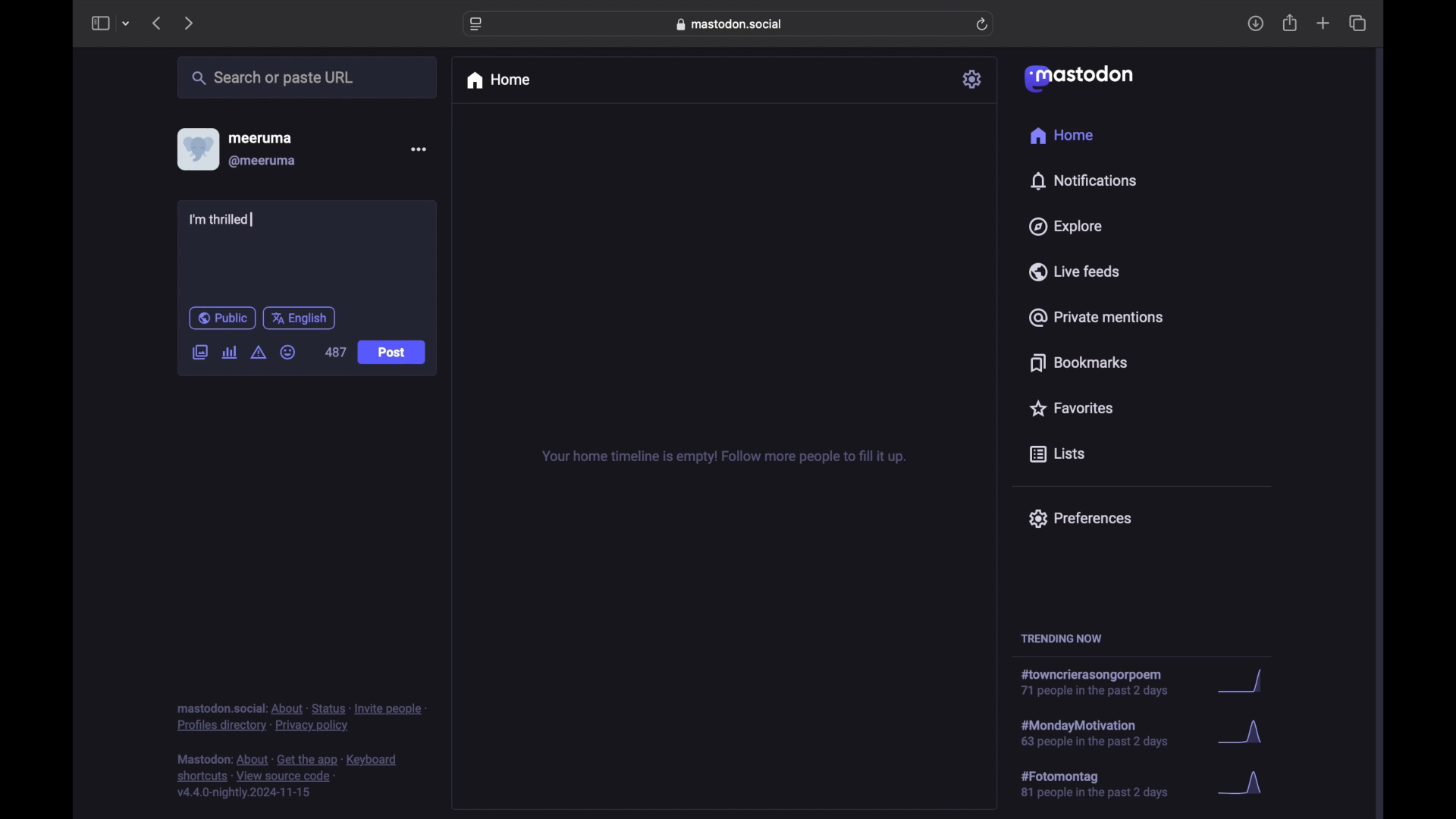 The height and width of the screenshot is (819, 1456). I want to click on home, so click(1063, 135).